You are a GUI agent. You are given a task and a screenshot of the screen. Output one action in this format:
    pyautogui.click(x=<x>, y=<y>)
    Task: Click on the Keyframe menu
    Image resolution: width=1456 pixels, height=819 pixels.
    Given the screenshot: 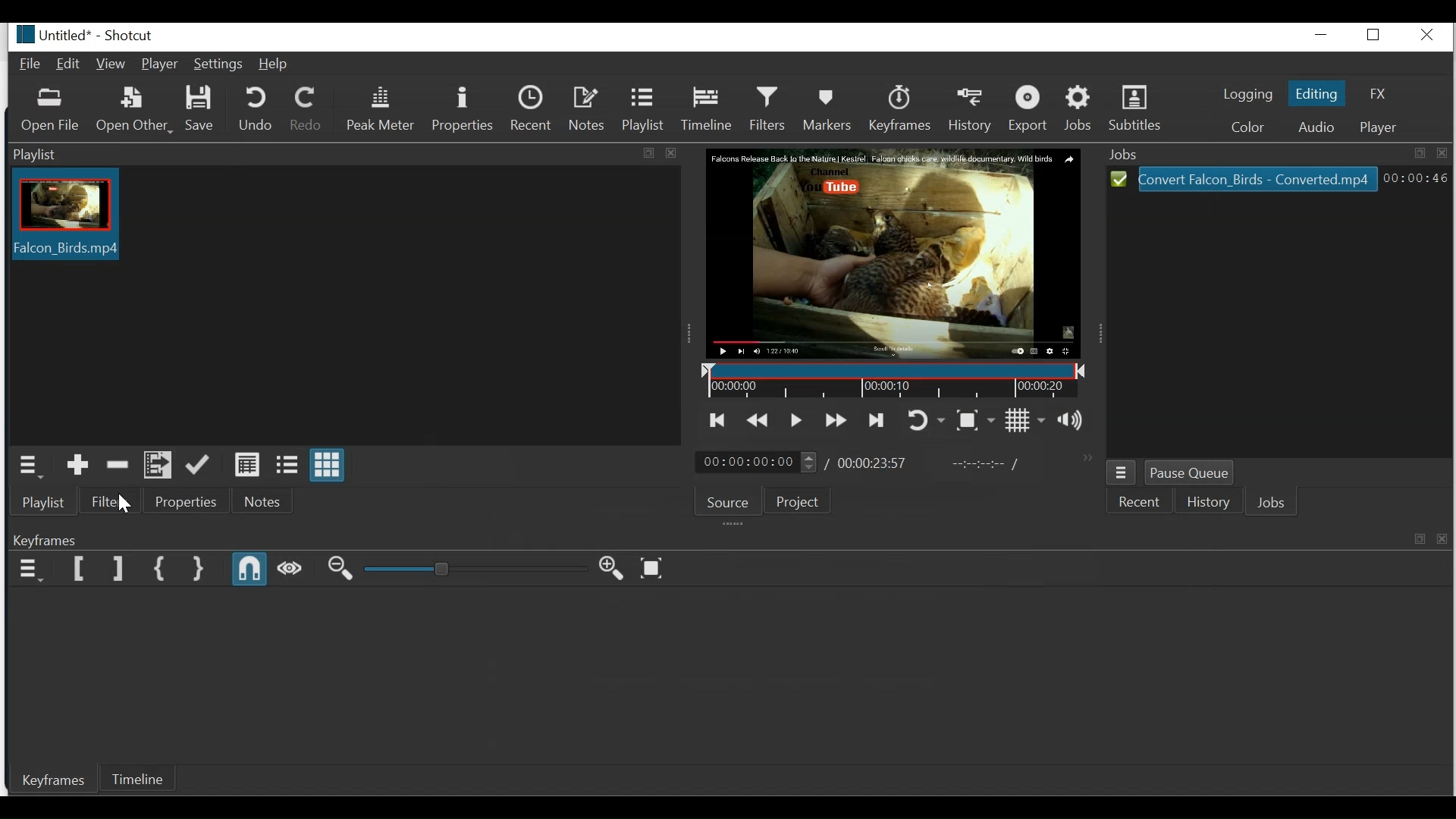 What is the action you would take?
    pyautogui.click(x=30, y=568)
    